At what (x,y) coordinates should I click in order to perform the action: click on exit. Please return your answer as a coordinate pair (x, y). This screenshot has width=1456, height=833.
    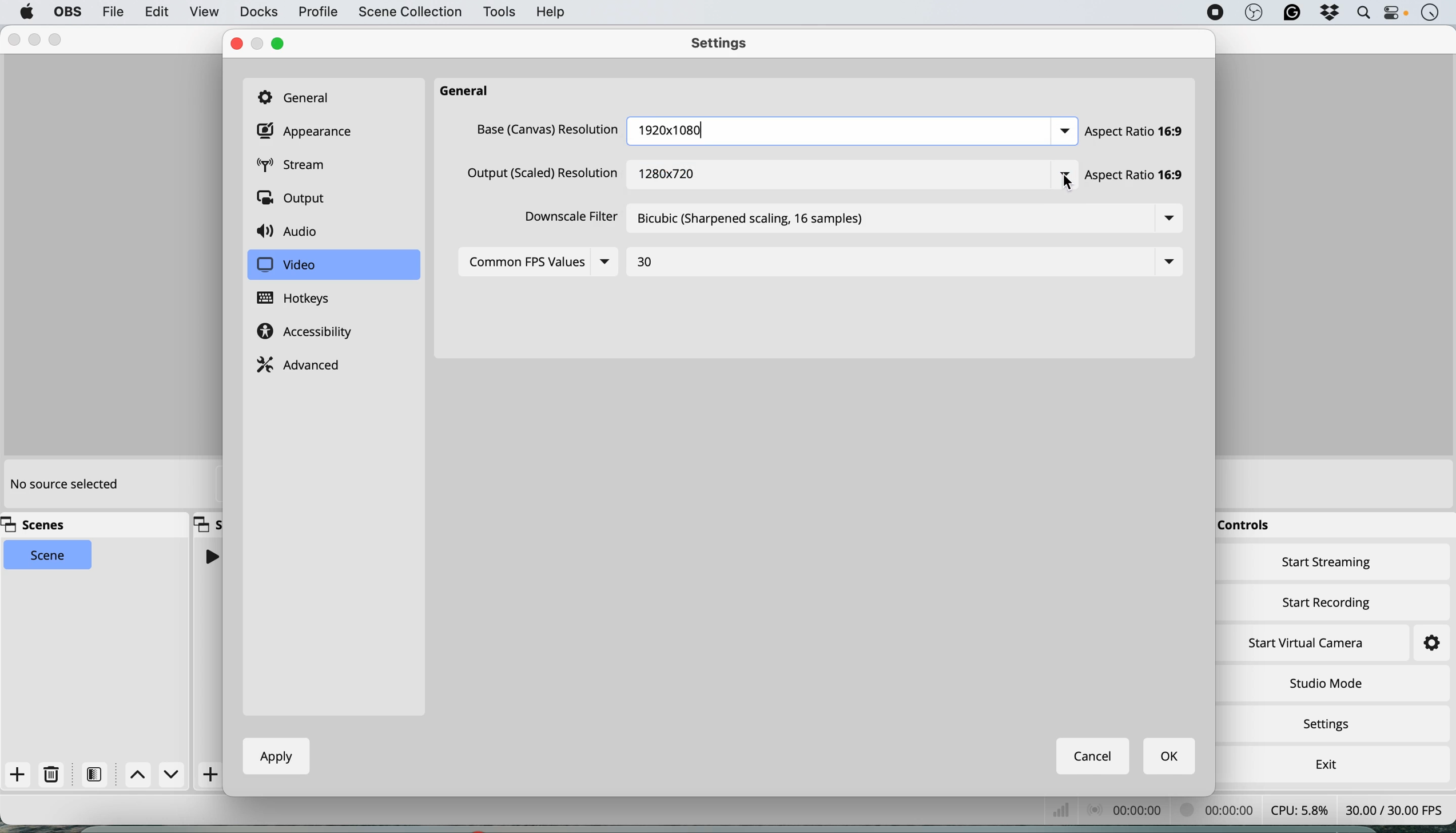
    Looking at the image, I should click on (1323, 761).